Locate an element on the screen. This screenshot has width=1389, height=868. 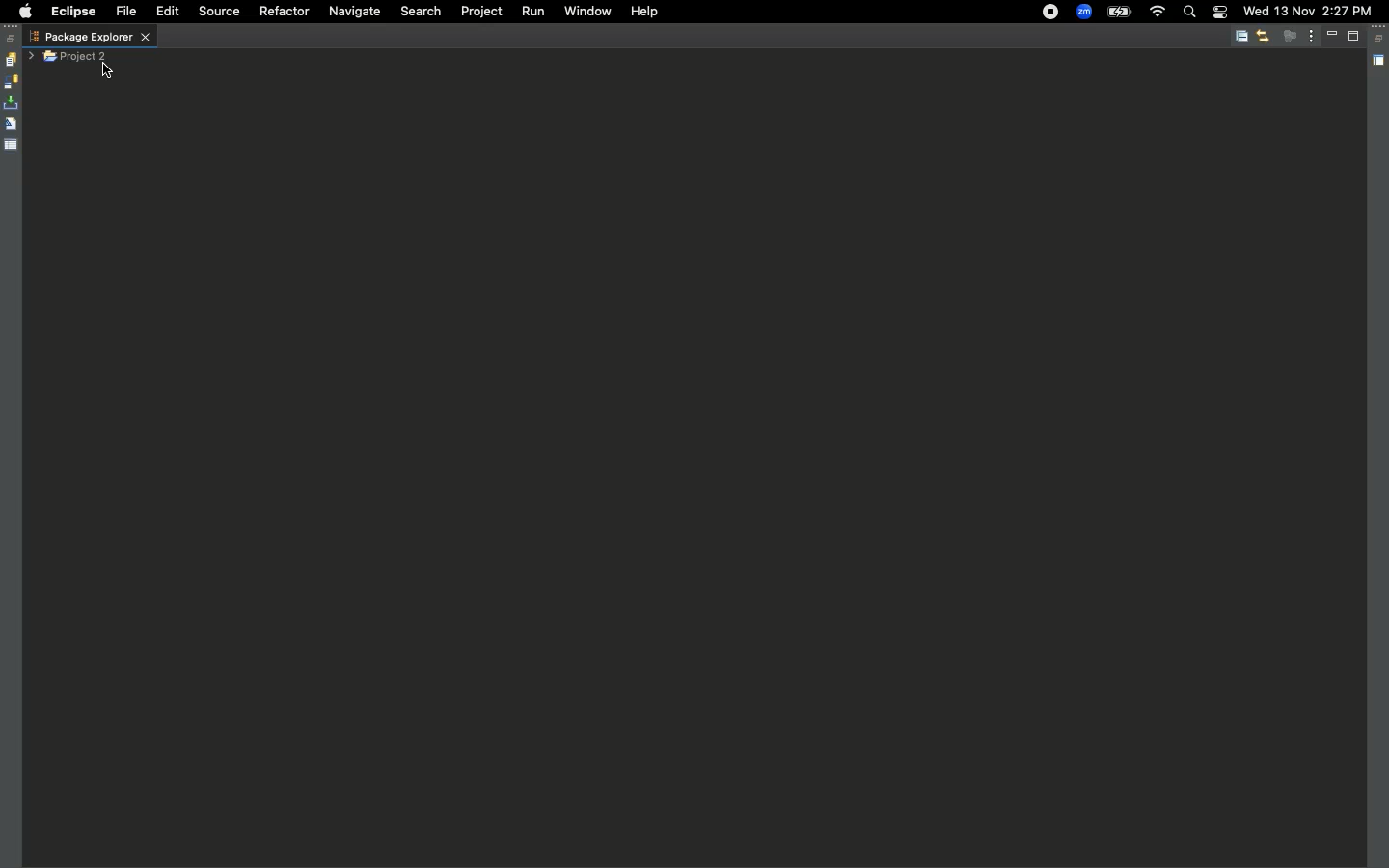
Run is located at coordinates (531, 12).